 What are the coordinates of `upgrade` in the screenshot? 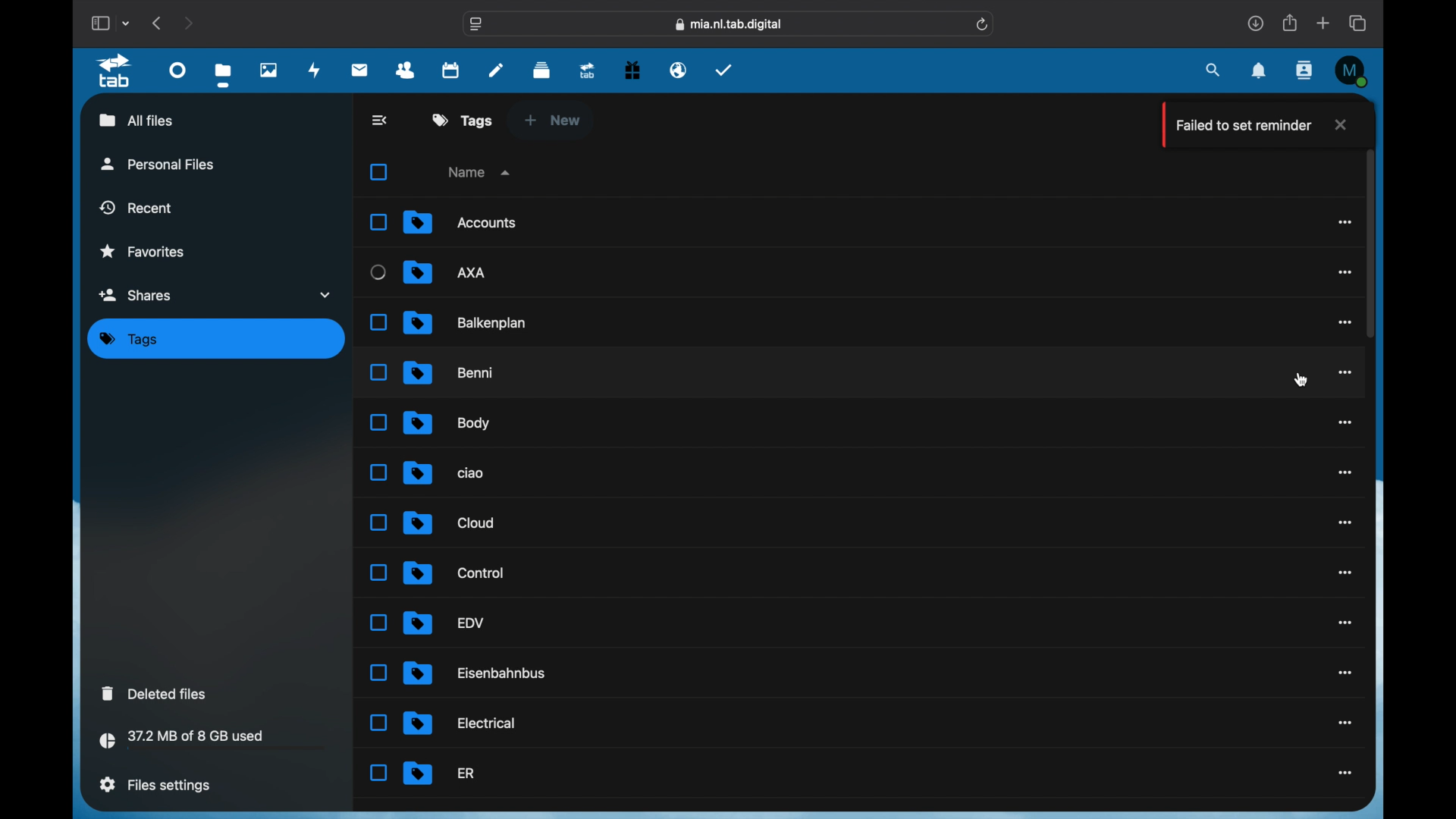 It's located at (587, 70).